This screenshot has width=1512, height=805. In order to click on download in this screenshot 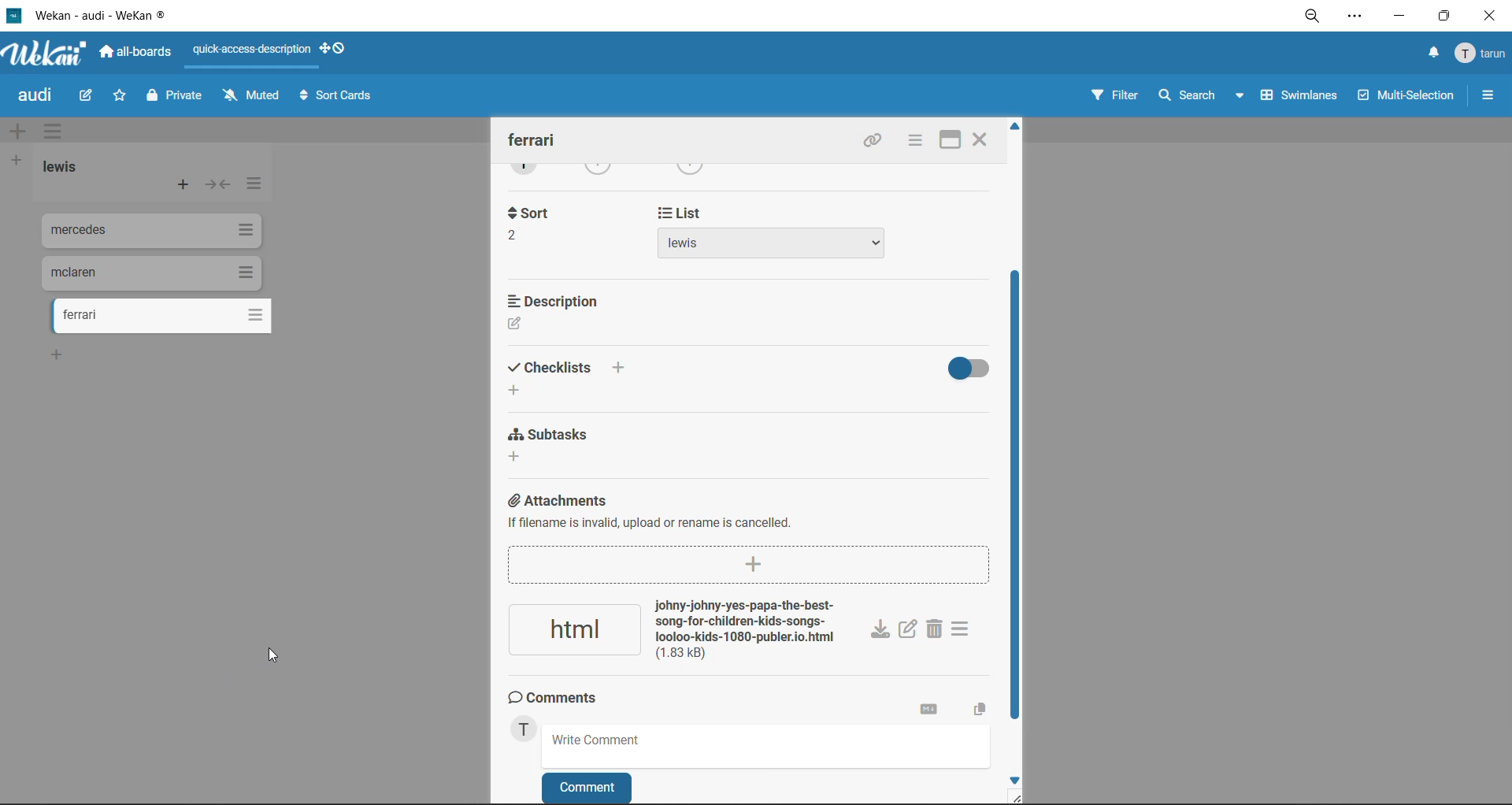, I will do `click(879, 629)`.